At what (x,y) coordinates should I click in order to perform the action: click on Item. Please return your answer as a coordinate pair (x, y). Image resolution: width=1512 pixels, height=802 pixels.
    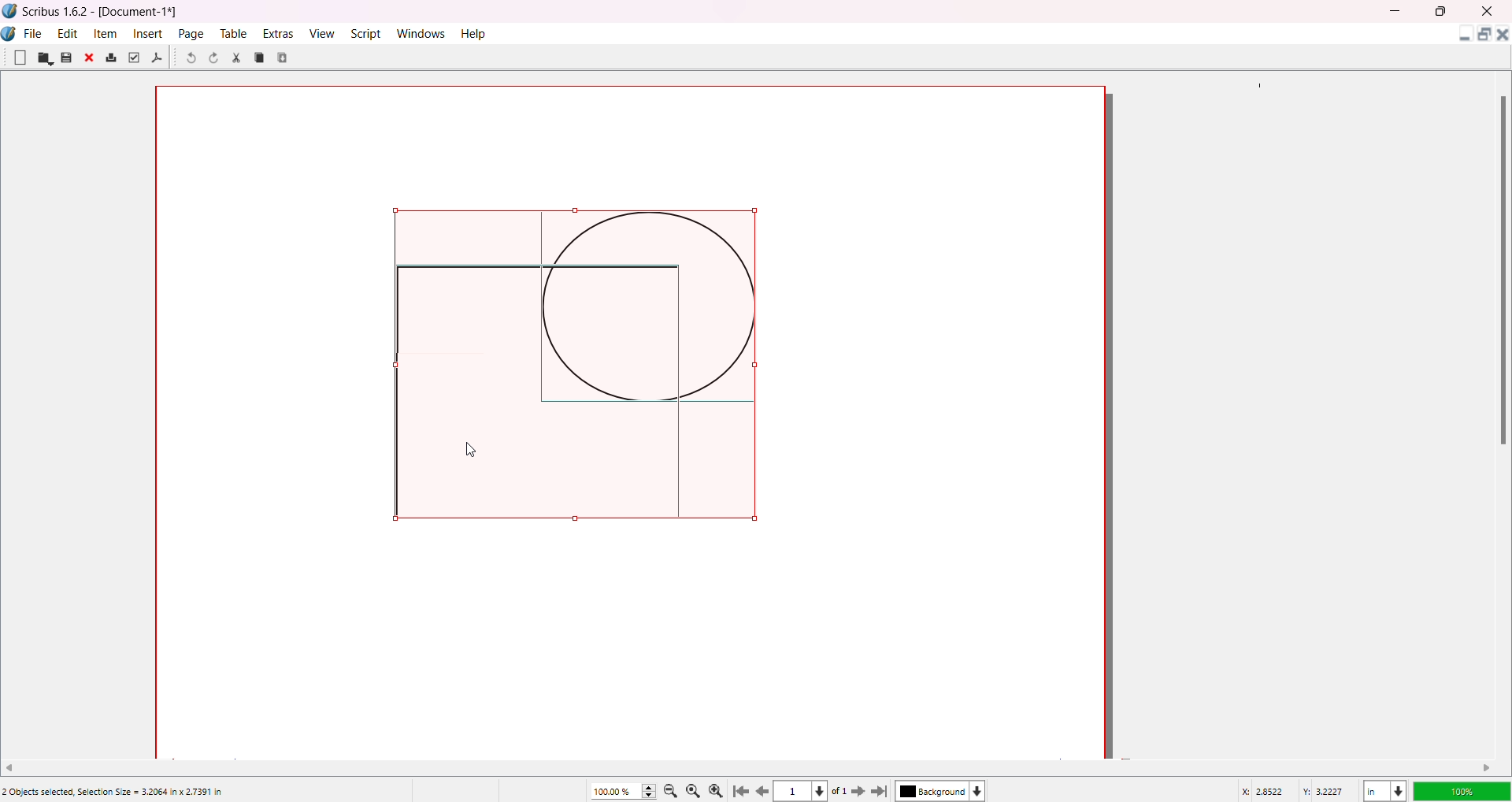
    Looking at the image, I should click on (107, 33).